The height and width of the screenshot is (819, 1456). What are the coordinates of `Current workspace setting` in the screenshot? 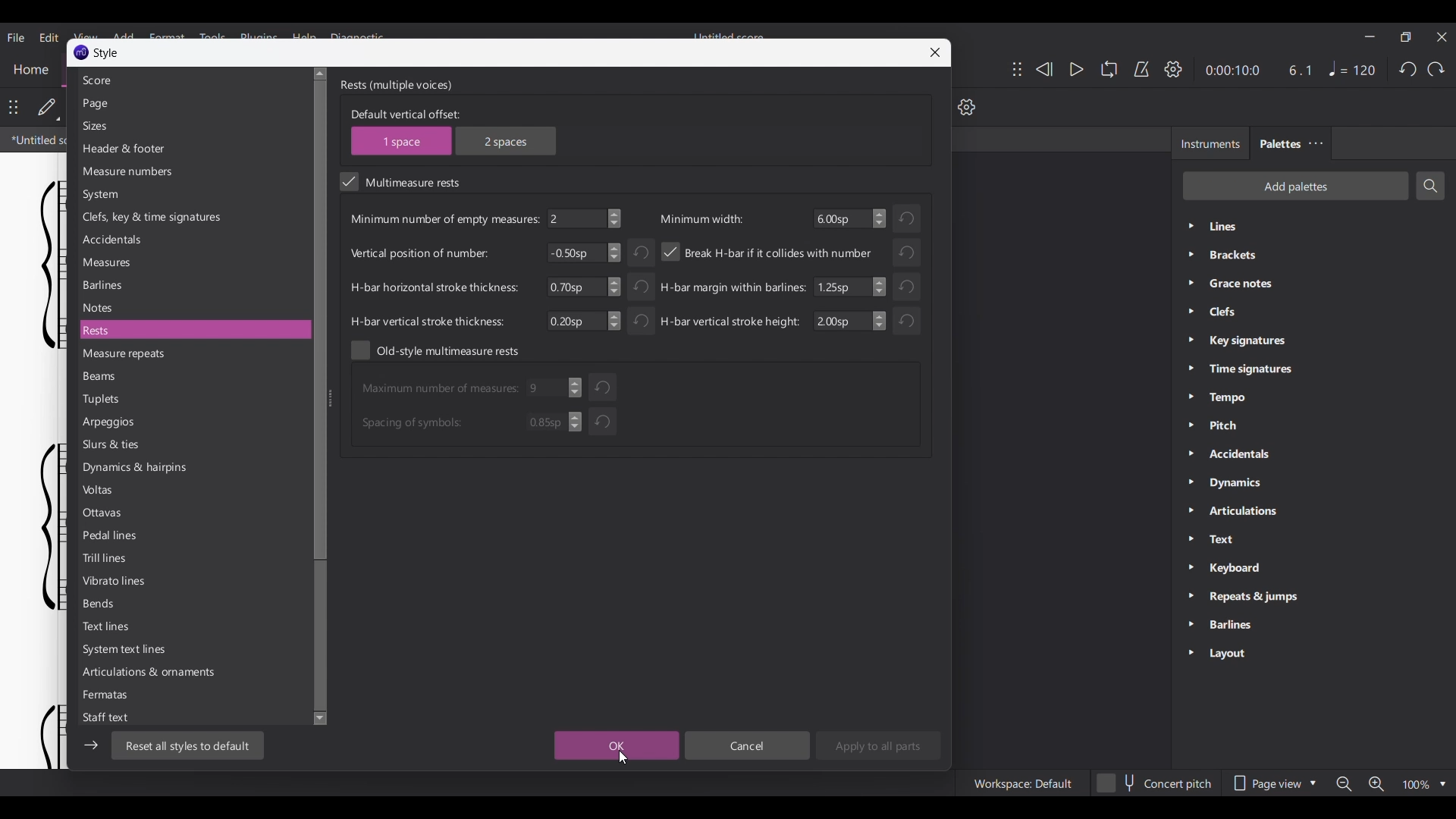 It's located at (1022, 783).